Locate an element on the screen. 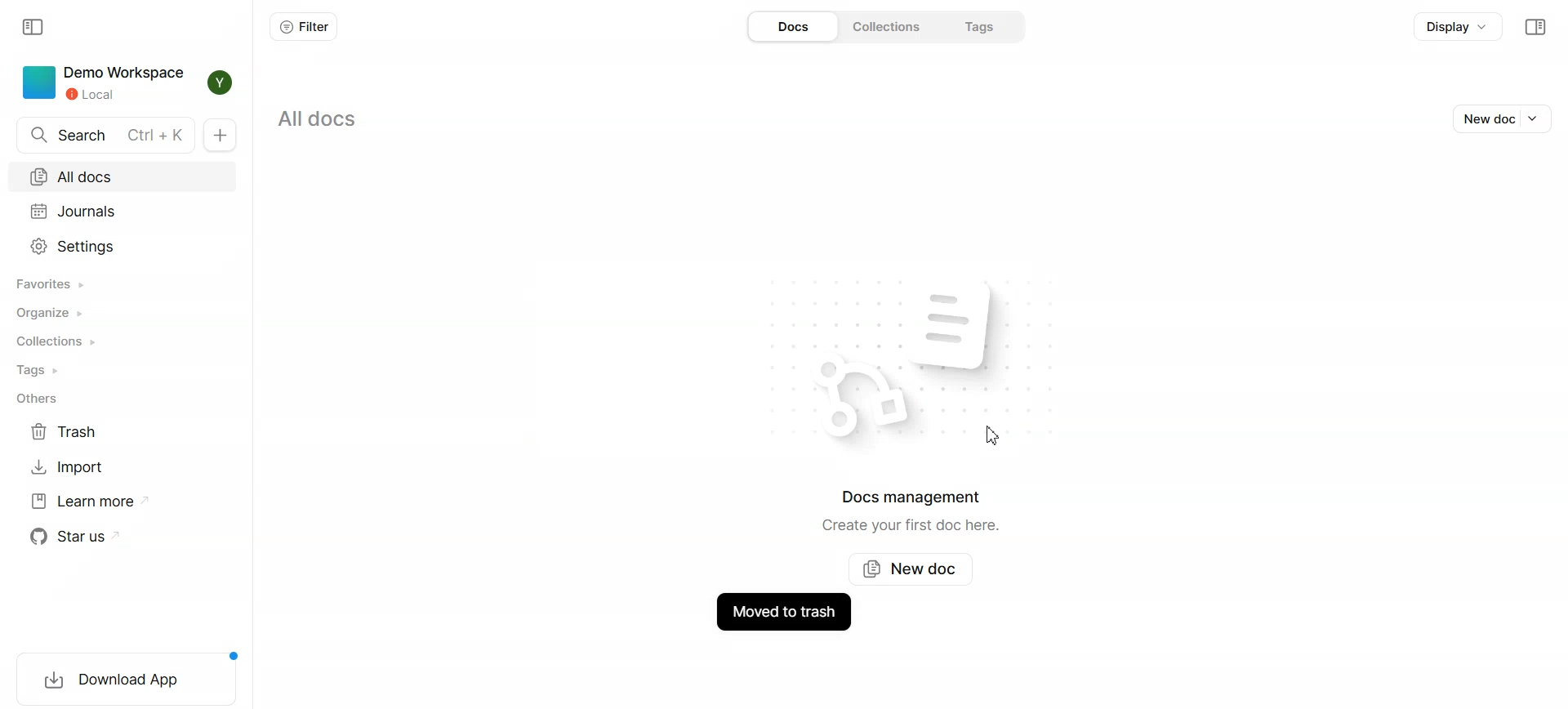  New Doc is located at coordinates (219, 136).